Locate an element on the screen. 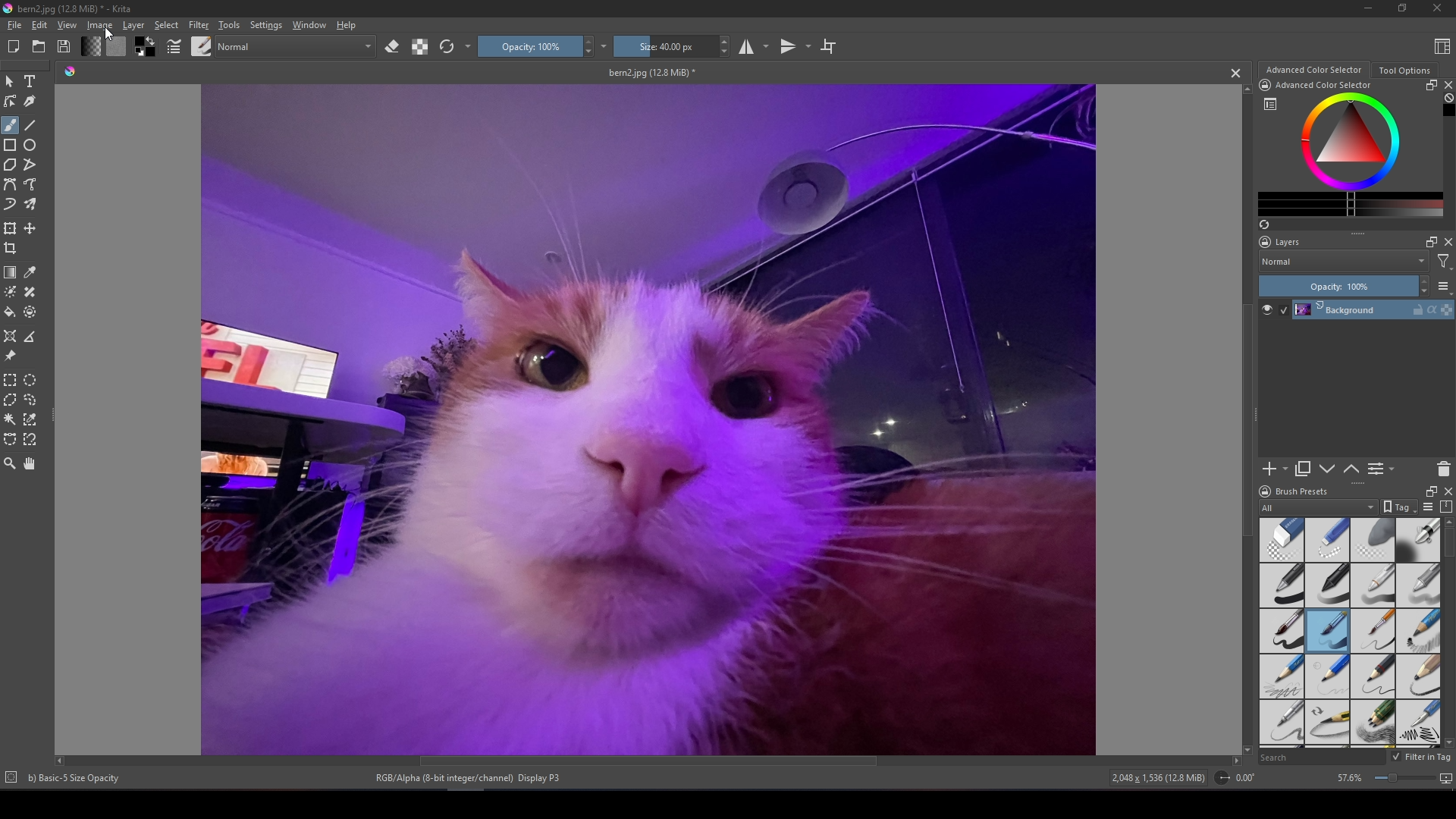  Contiguous selection tool is located at coordinates (11, 419).